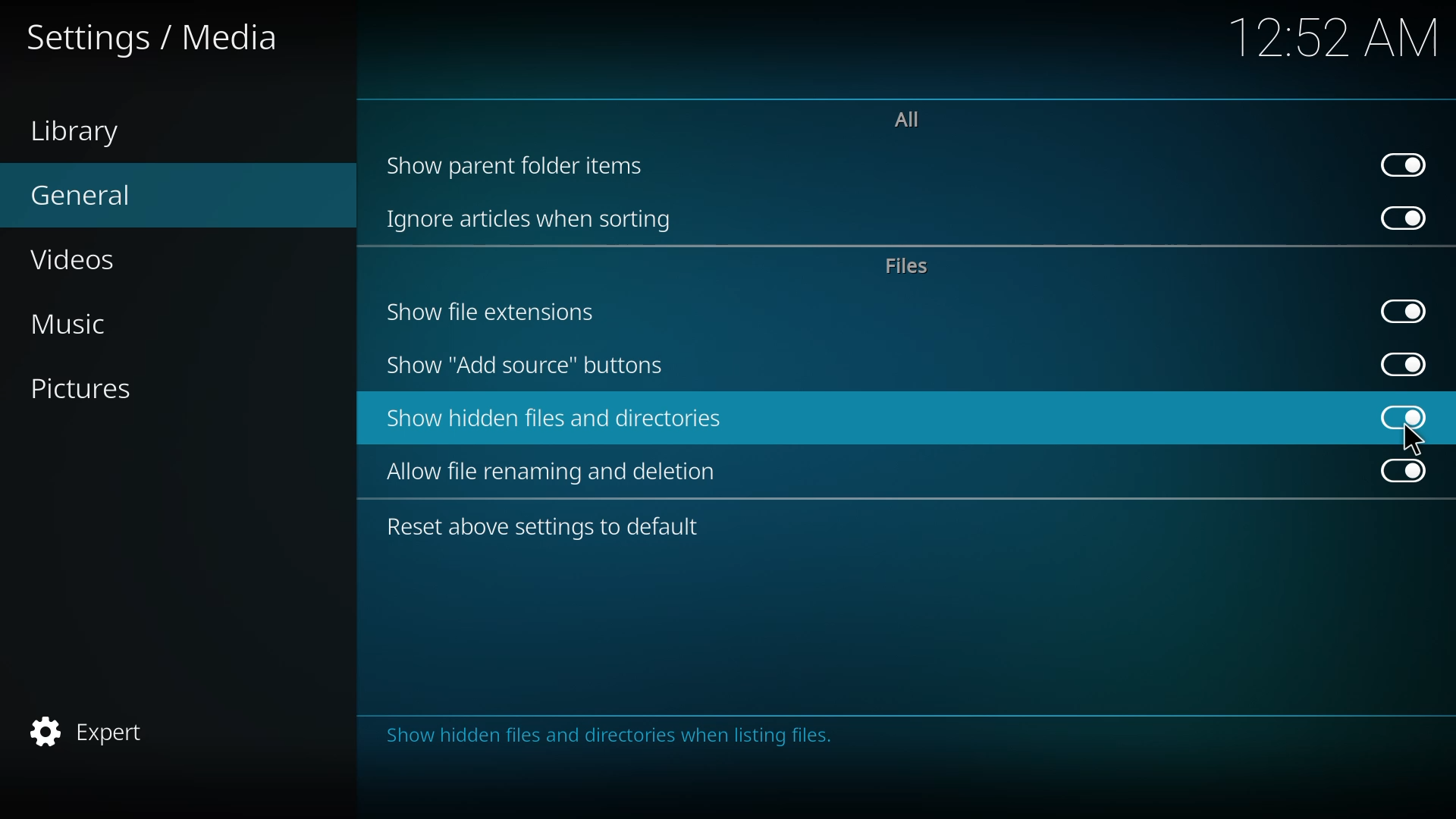  What do you see at coordinates (1402, 364) in the screenshot?
I see `enabled` at bounding box center [1402, 364].